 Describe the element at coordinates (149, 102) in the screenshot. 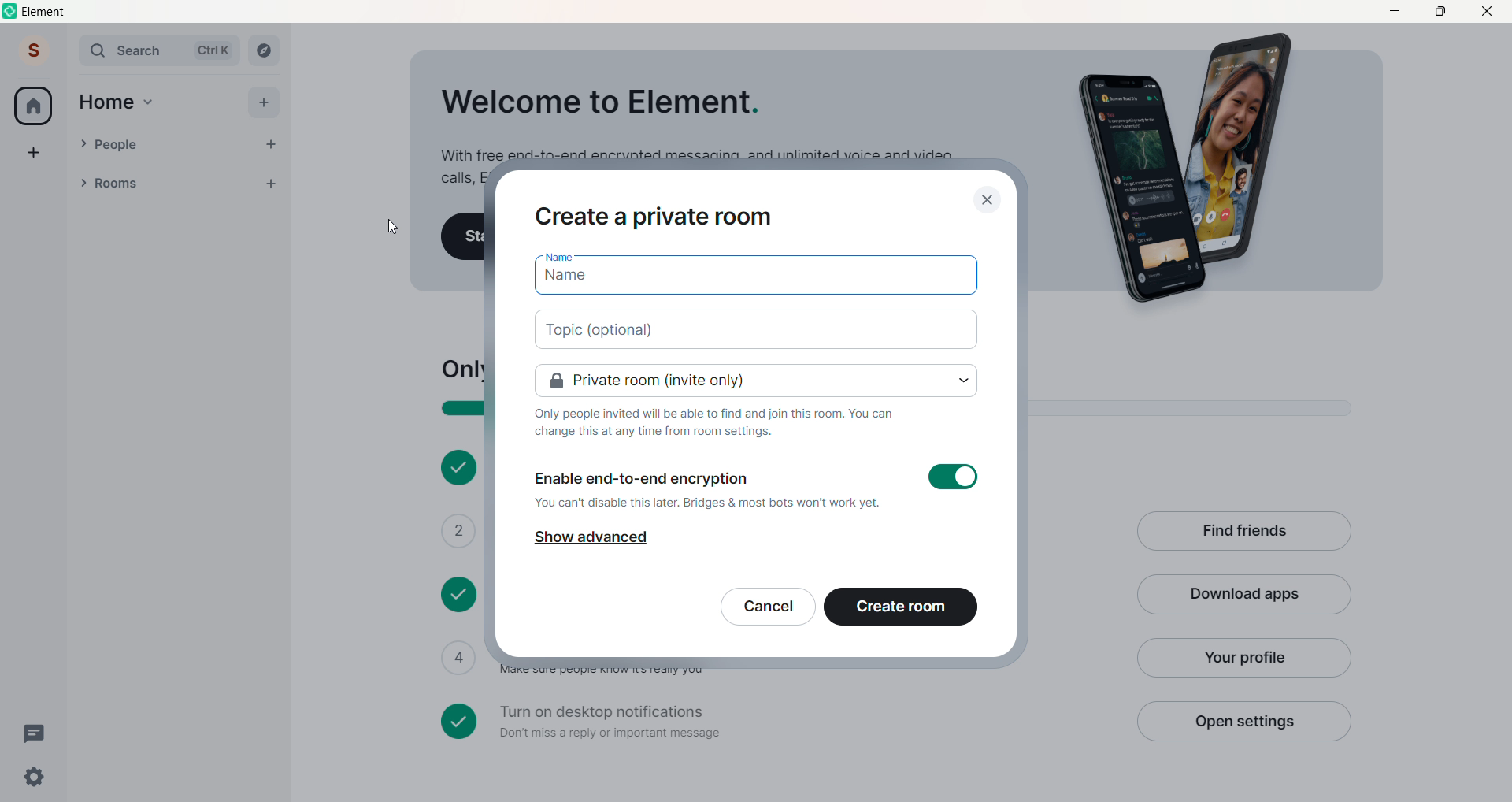

I see `Home Drop Down` at that location.